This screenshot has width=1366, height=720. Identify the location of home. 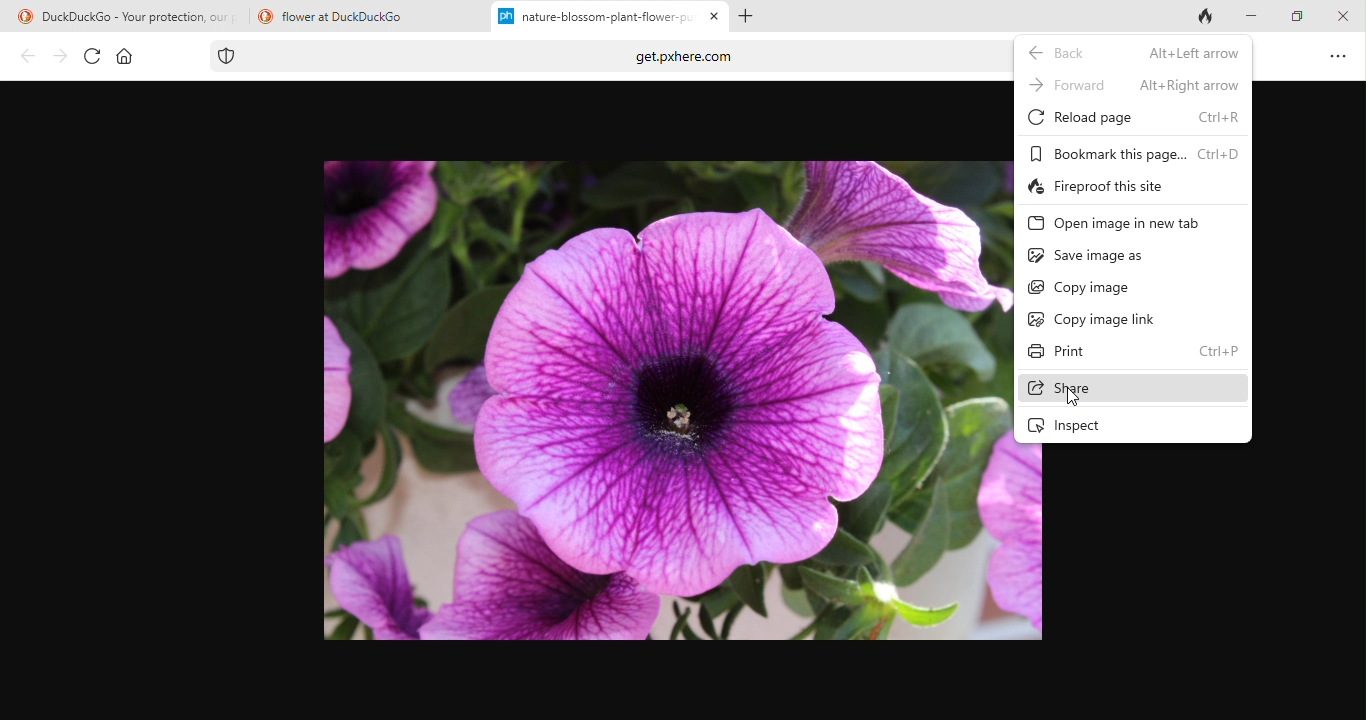
(125, 57).